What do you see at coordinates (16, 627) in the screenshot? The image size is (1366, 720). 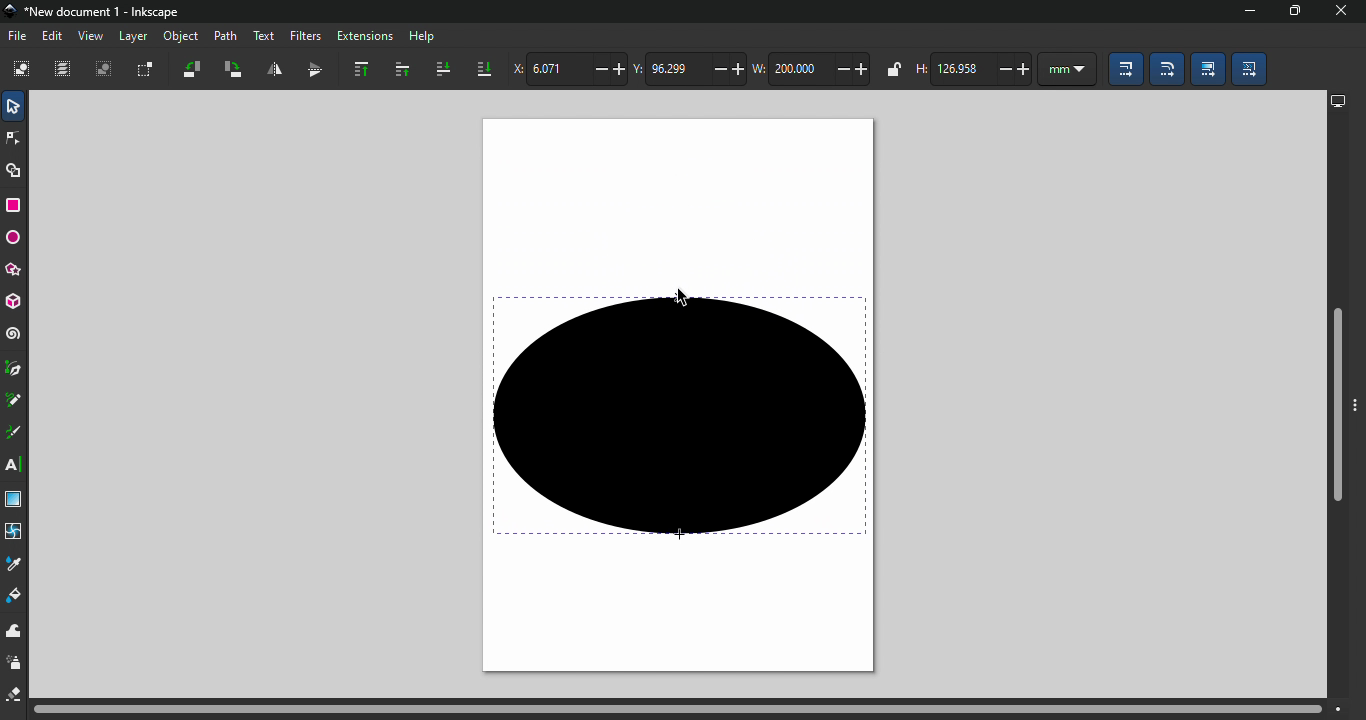 I see `tweak tool` at bounding box center [16, 627].